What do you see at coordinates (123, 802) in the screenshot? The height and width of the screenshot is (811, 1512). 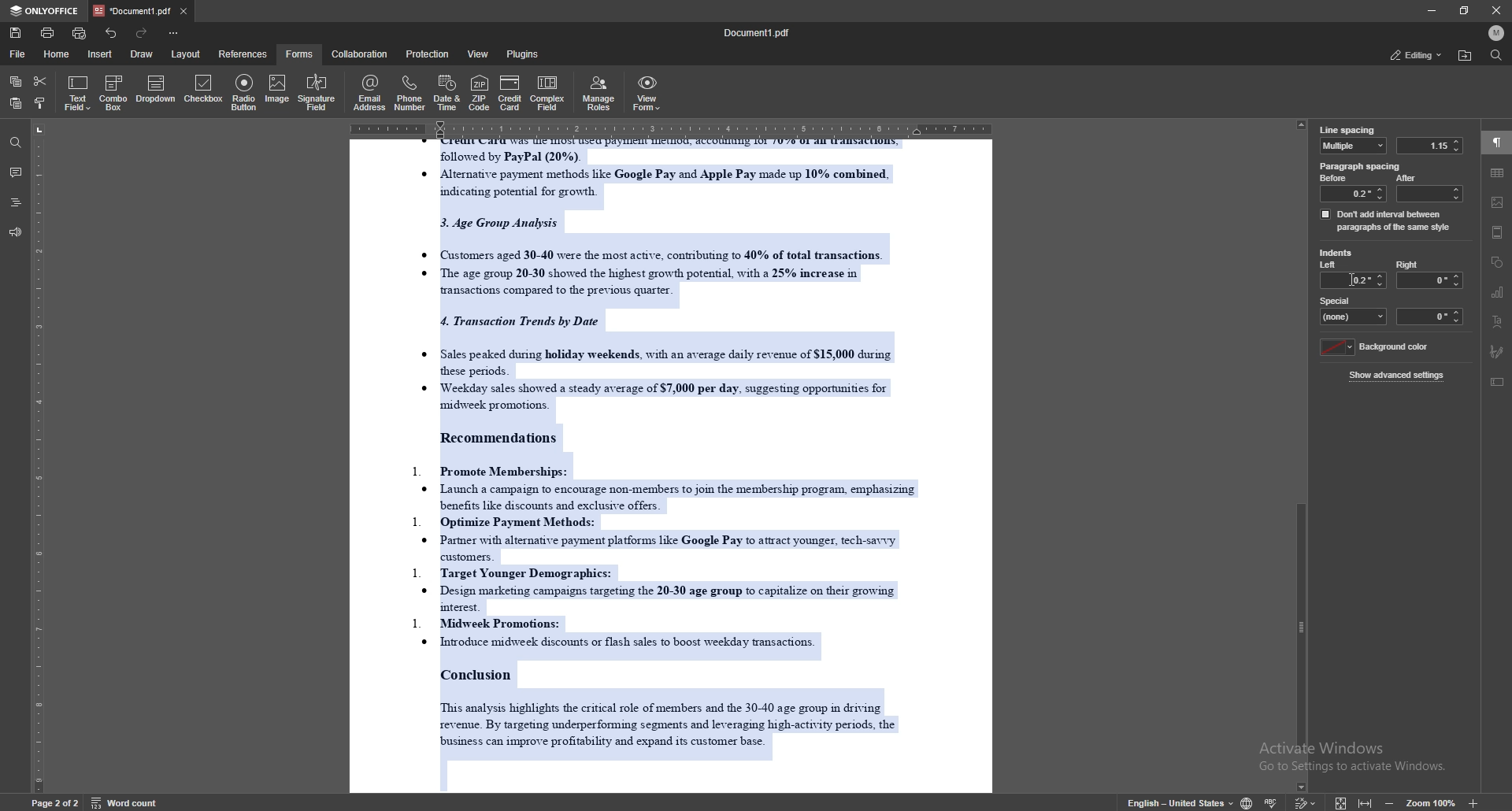 I see `word count` at bounding box center [123, 802].